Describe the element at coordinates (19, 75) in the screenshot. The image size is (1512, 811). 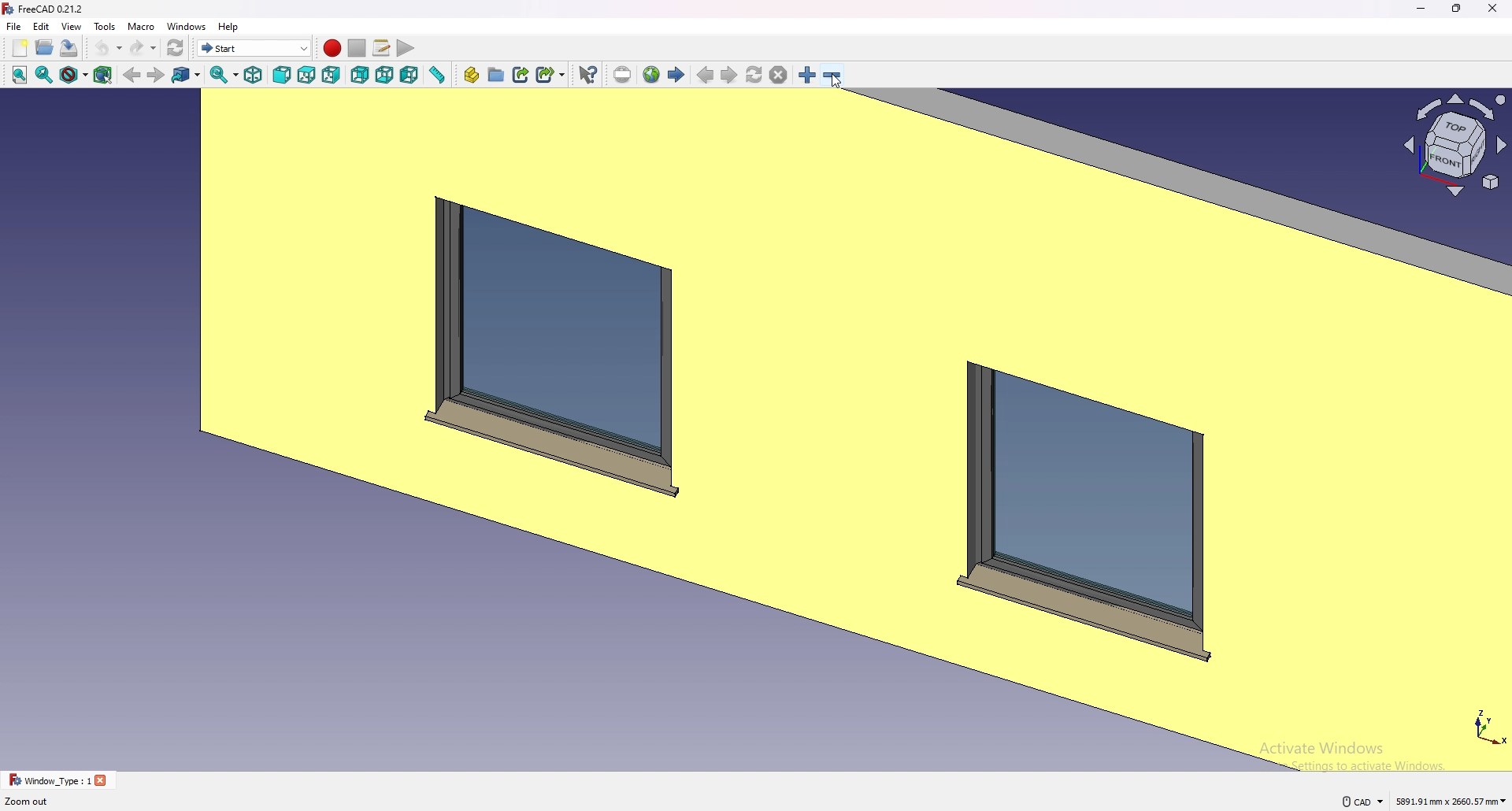
I see `fit all` at that location.